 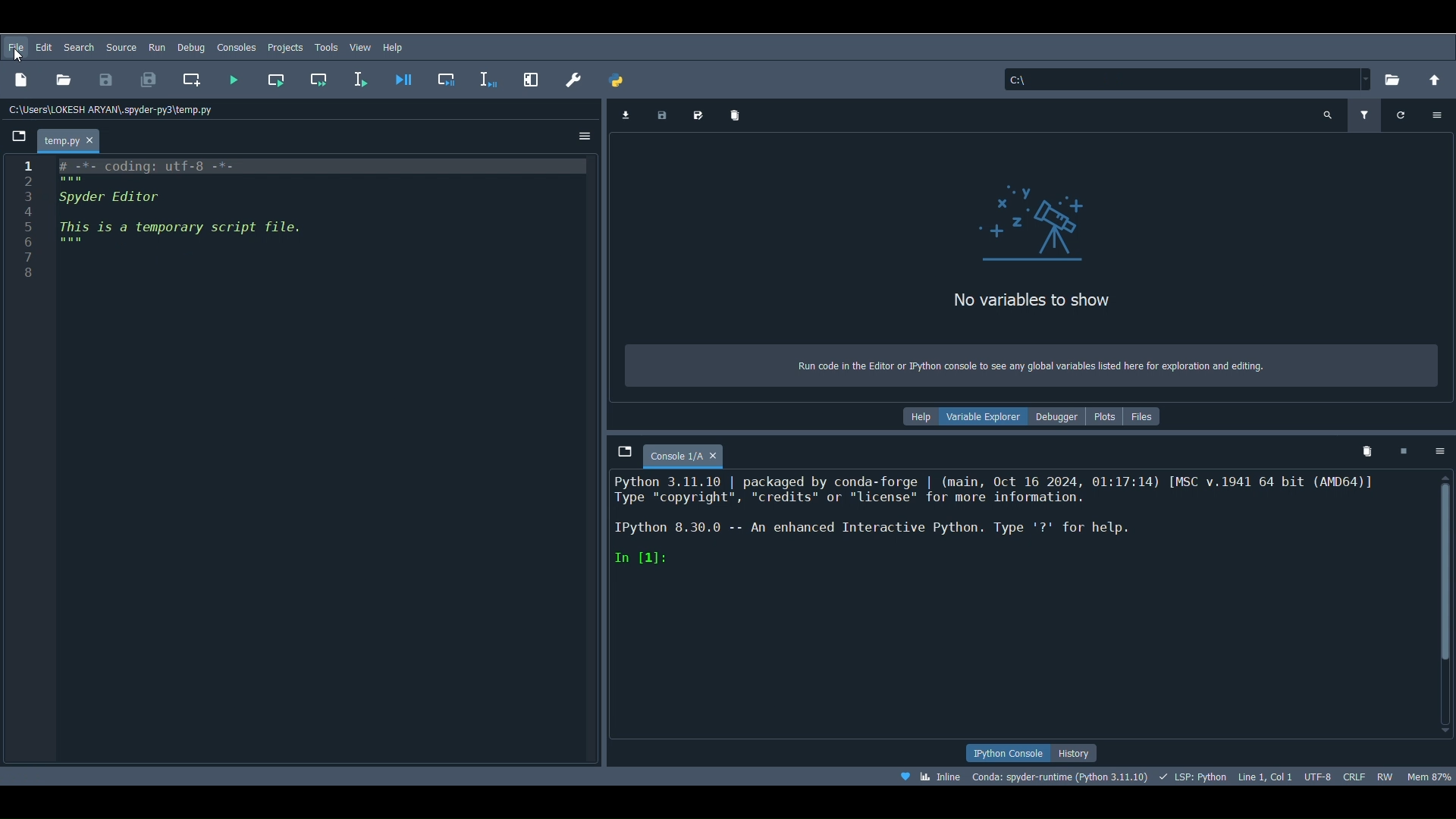 I want to click on Run selection or current line (F9), so click(x=362, y=76).